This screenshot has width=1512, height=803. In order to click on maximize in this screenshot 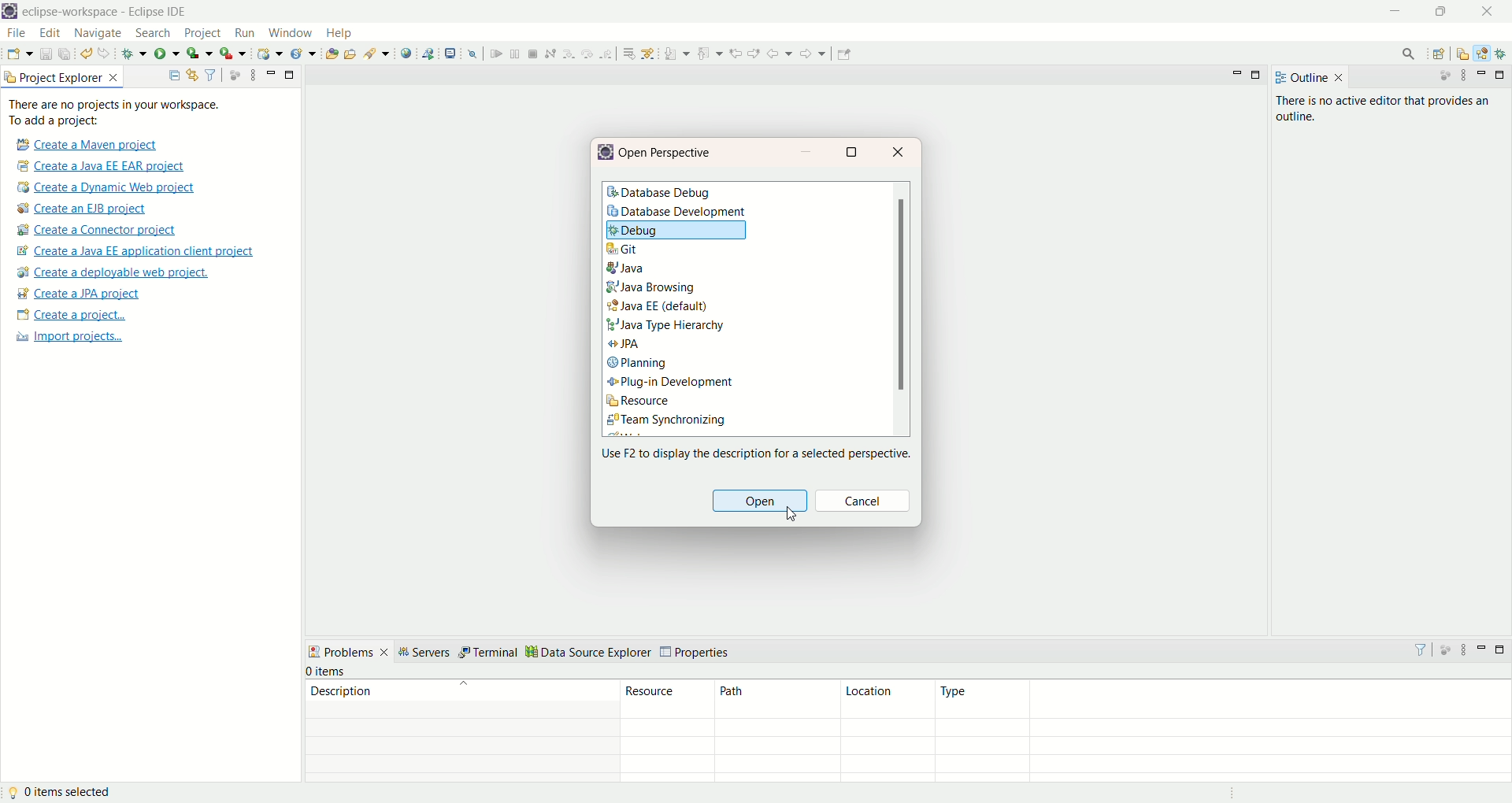, I will do `click(856, 153)`.